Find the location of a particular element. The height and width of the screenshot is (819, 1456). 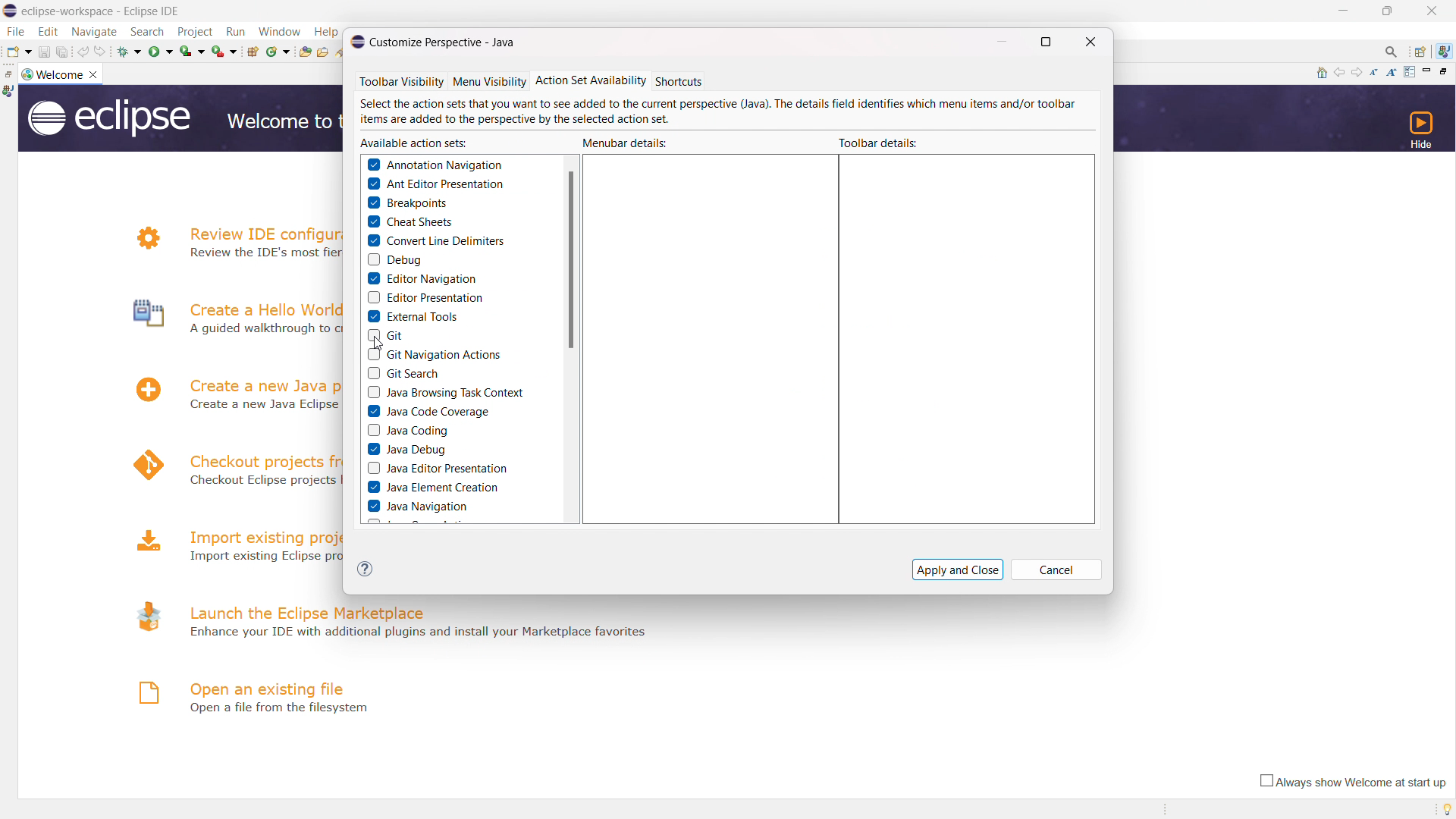

© Customize Perspective - Java is located at coordinates (441, 41).